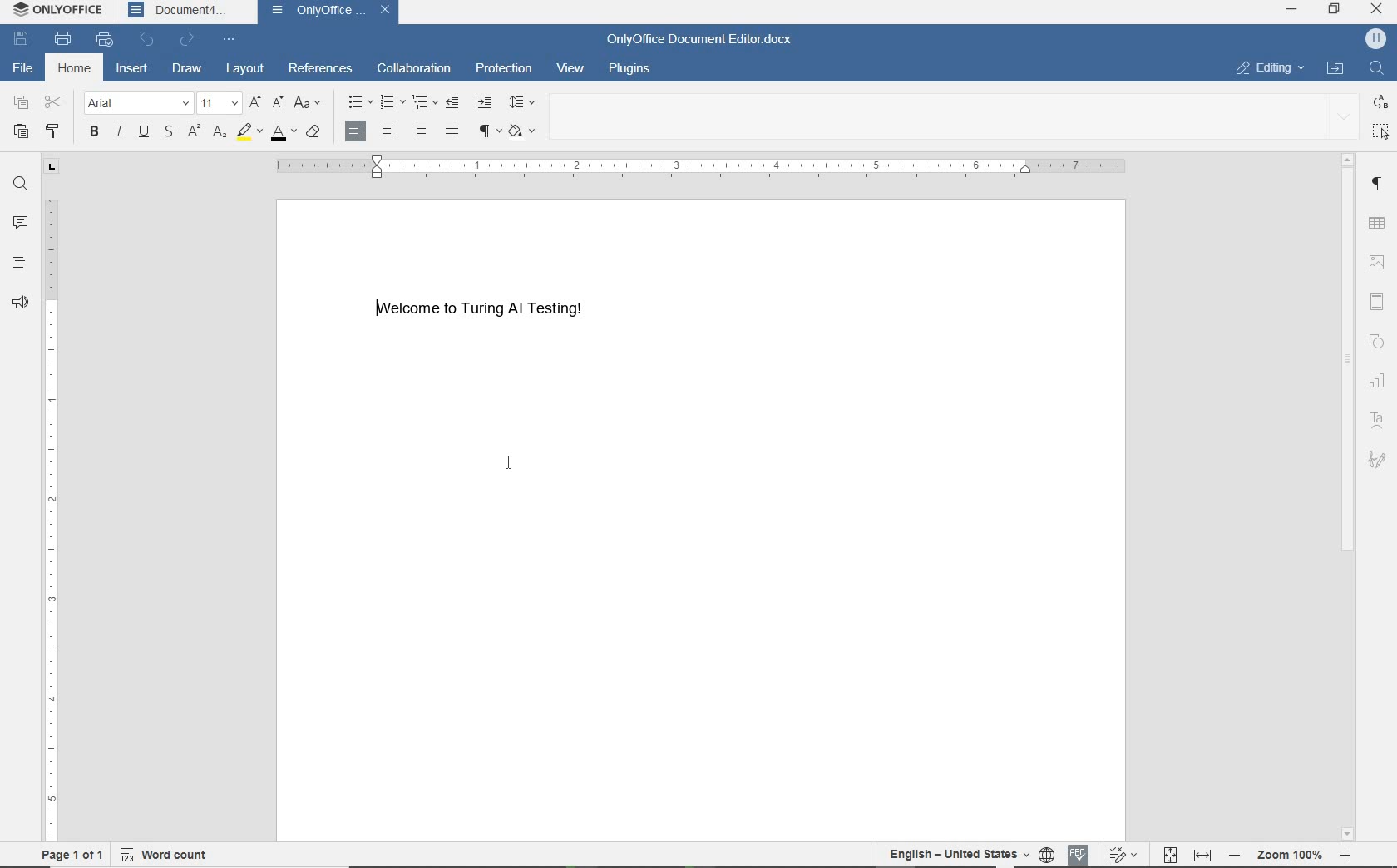 The image size is (1397, 868). What do you see at coordinates (1271, 67) in the screenshot?
I see `EDITING` at bounding box center [1271, 67].